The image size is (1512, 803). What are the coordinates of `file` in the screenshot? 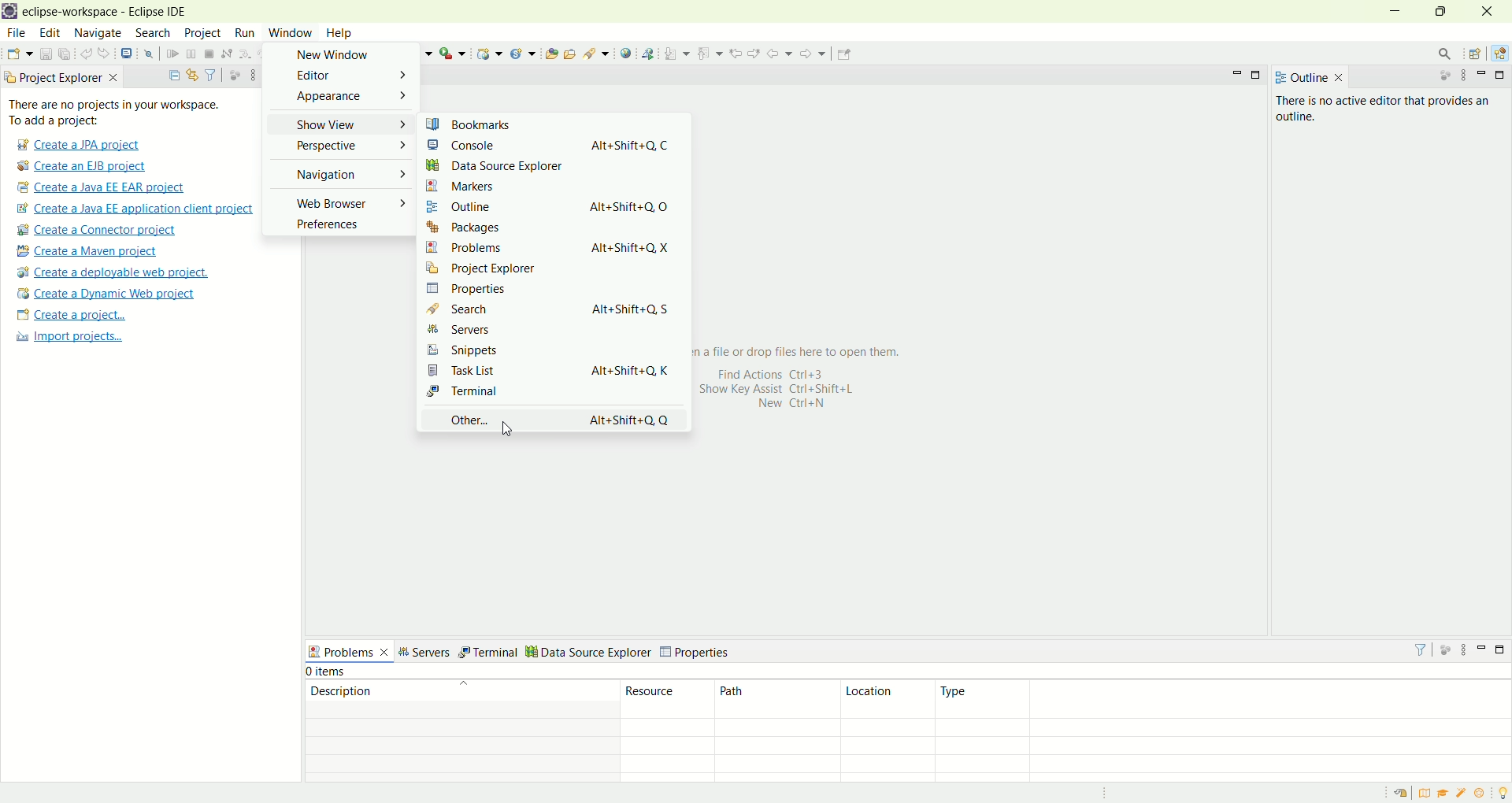 It's located at (14, 32).